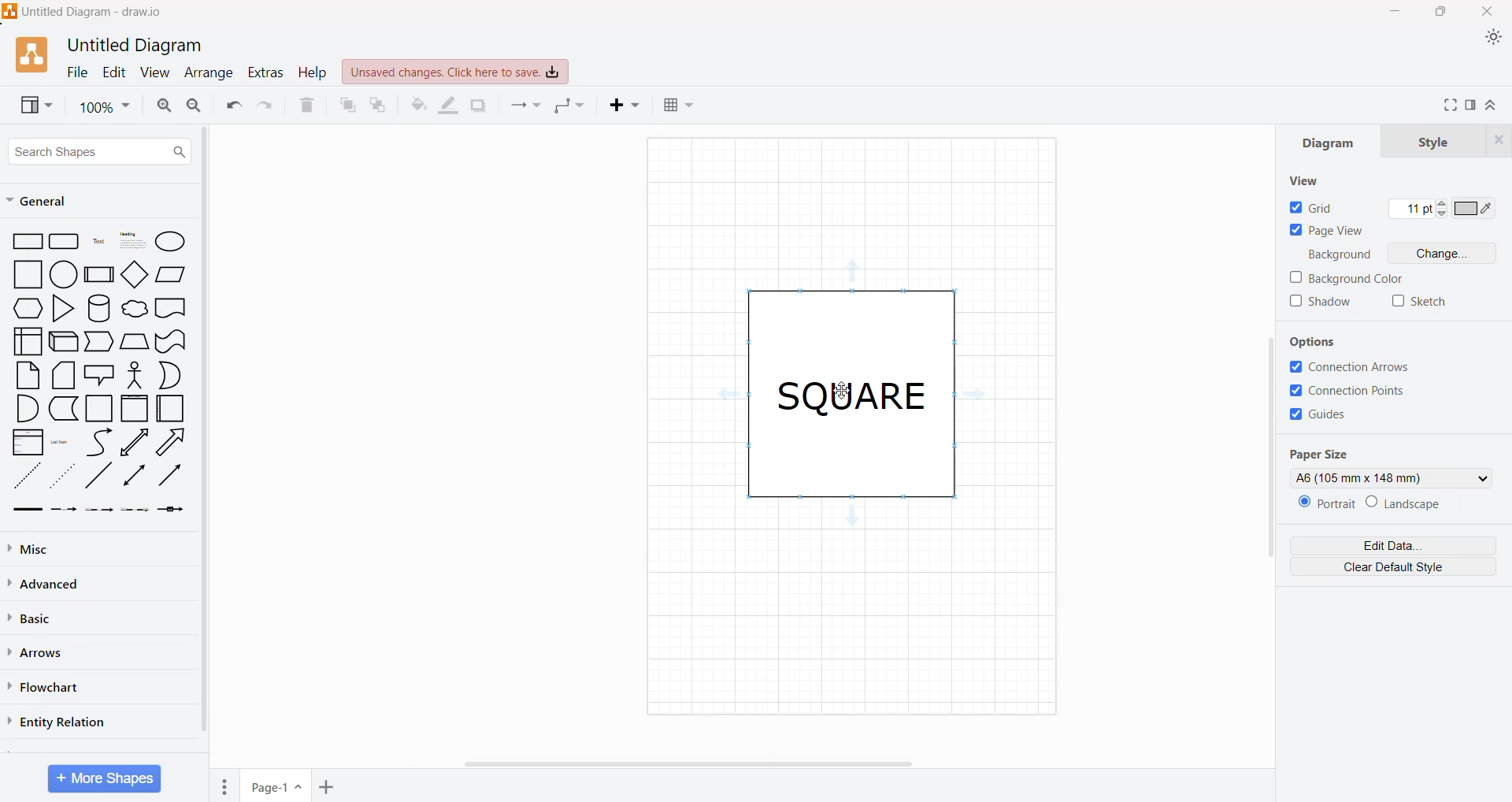  What do you see at coordinates (266, 104) in the screenshot?
I see `Redo` at bounding box center [266, 104].